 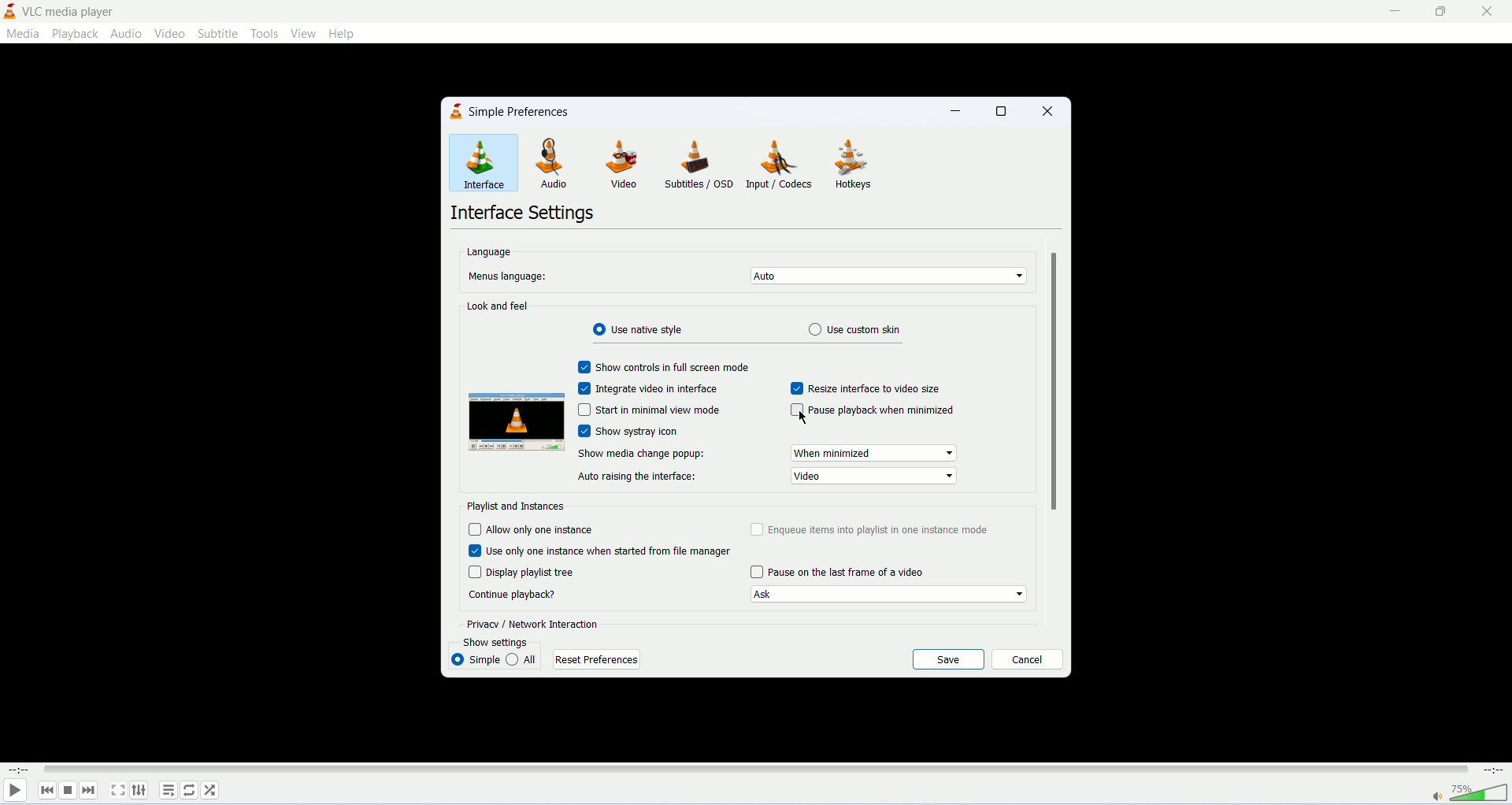 What do you see at coordinates (343, 34) in the screenshot?
I see `HELP` at bounding box center [343, 34].